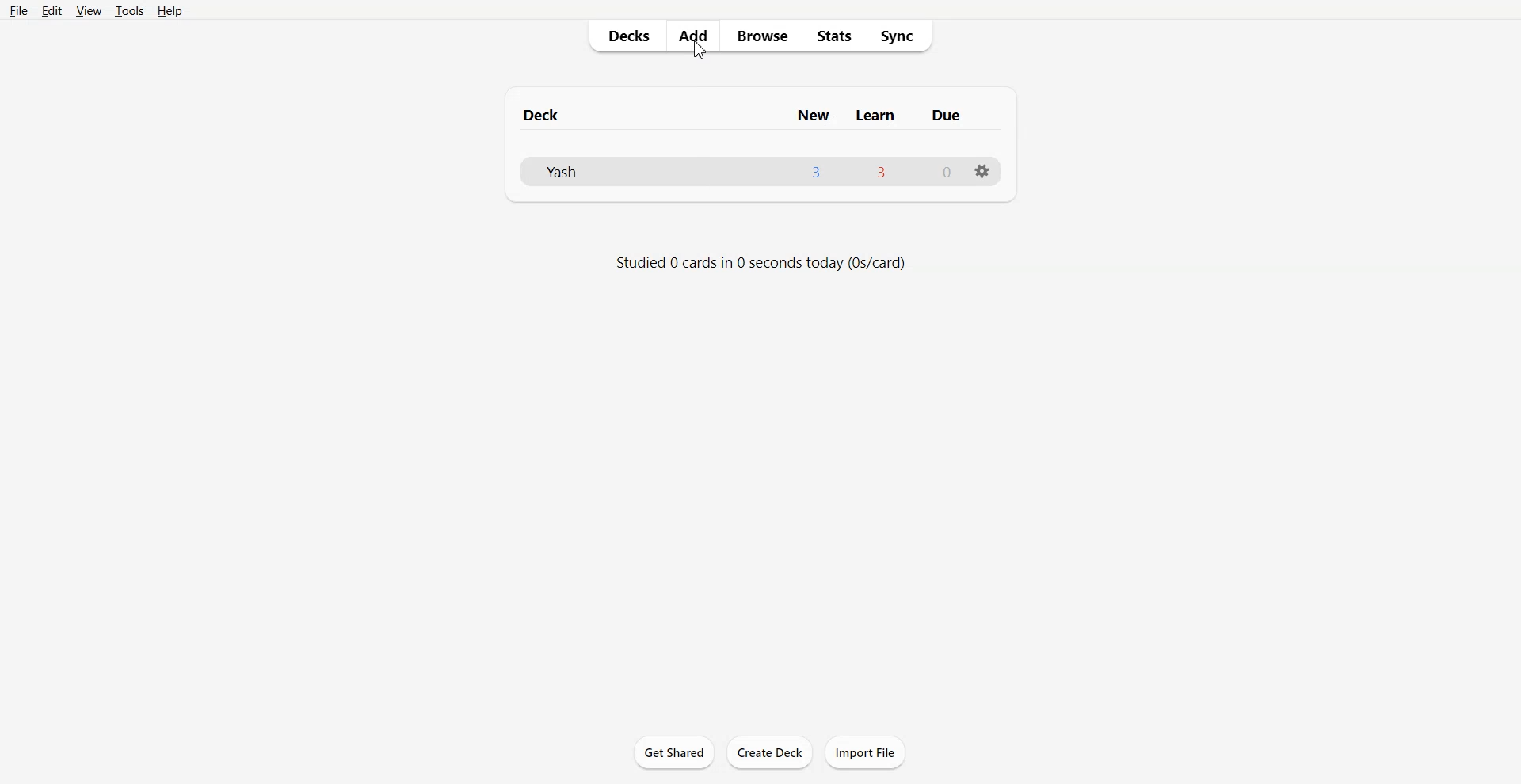  Describe the element at coordinates (19, 11) in the screenshot. I see `File` at that location.